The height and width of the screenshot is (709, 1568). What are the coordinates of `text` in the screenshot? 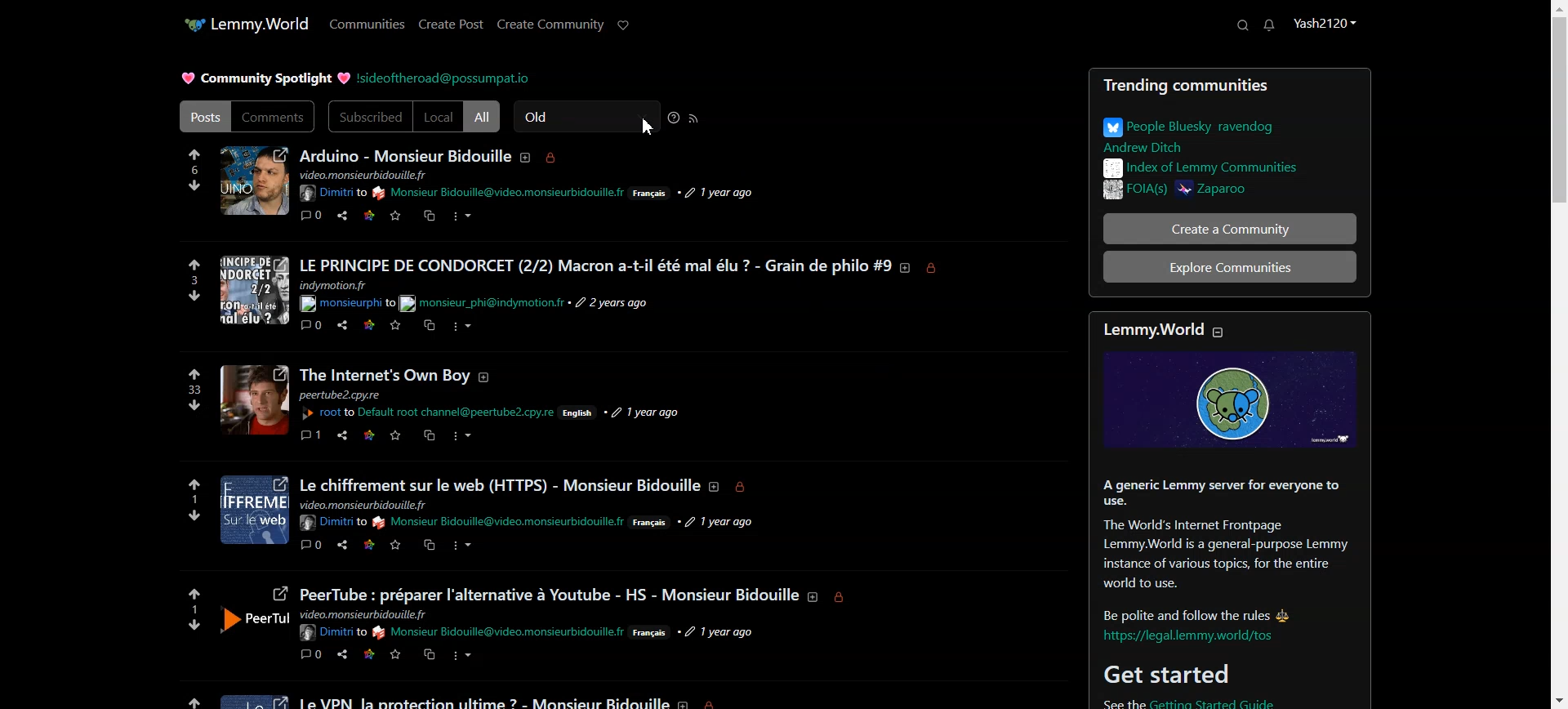 It's located at (331, 522).